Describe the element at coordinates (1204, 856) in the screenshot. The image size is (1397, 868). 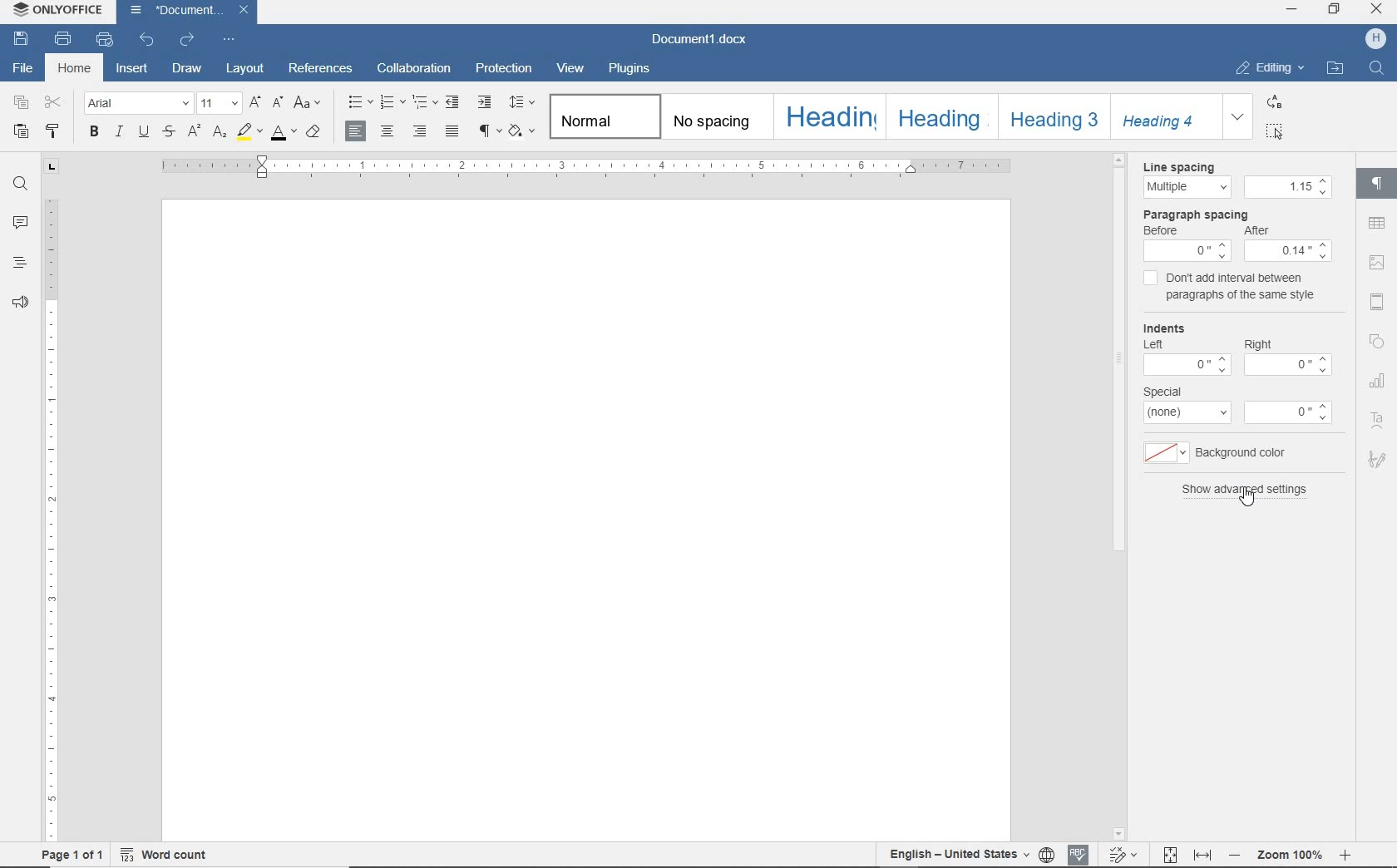
I see `Fit to width` at that location.